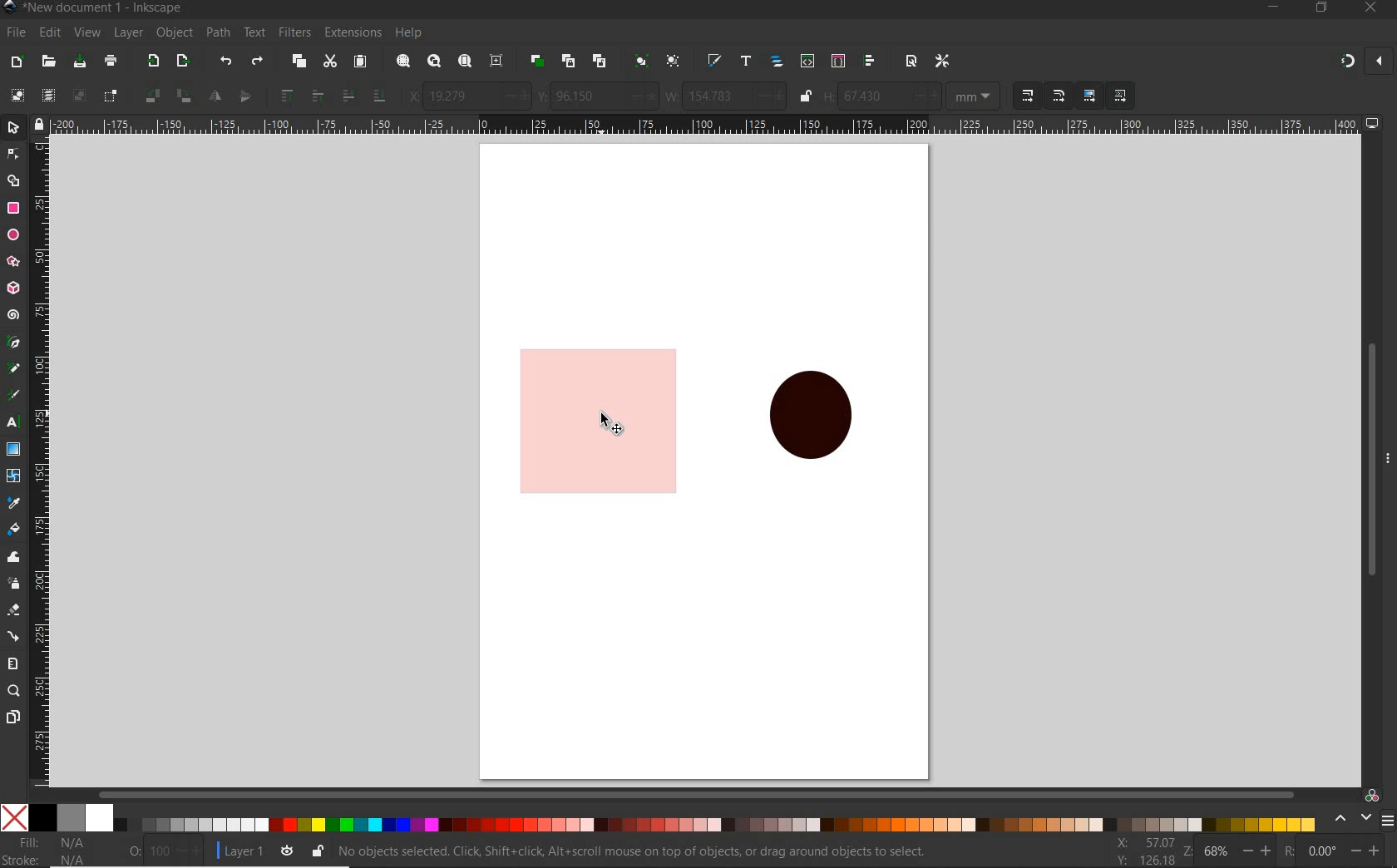  What do you see at coordinates (244, 94) in the screenshot?
I see `object flip vertical` at bounding box center [244, 94].